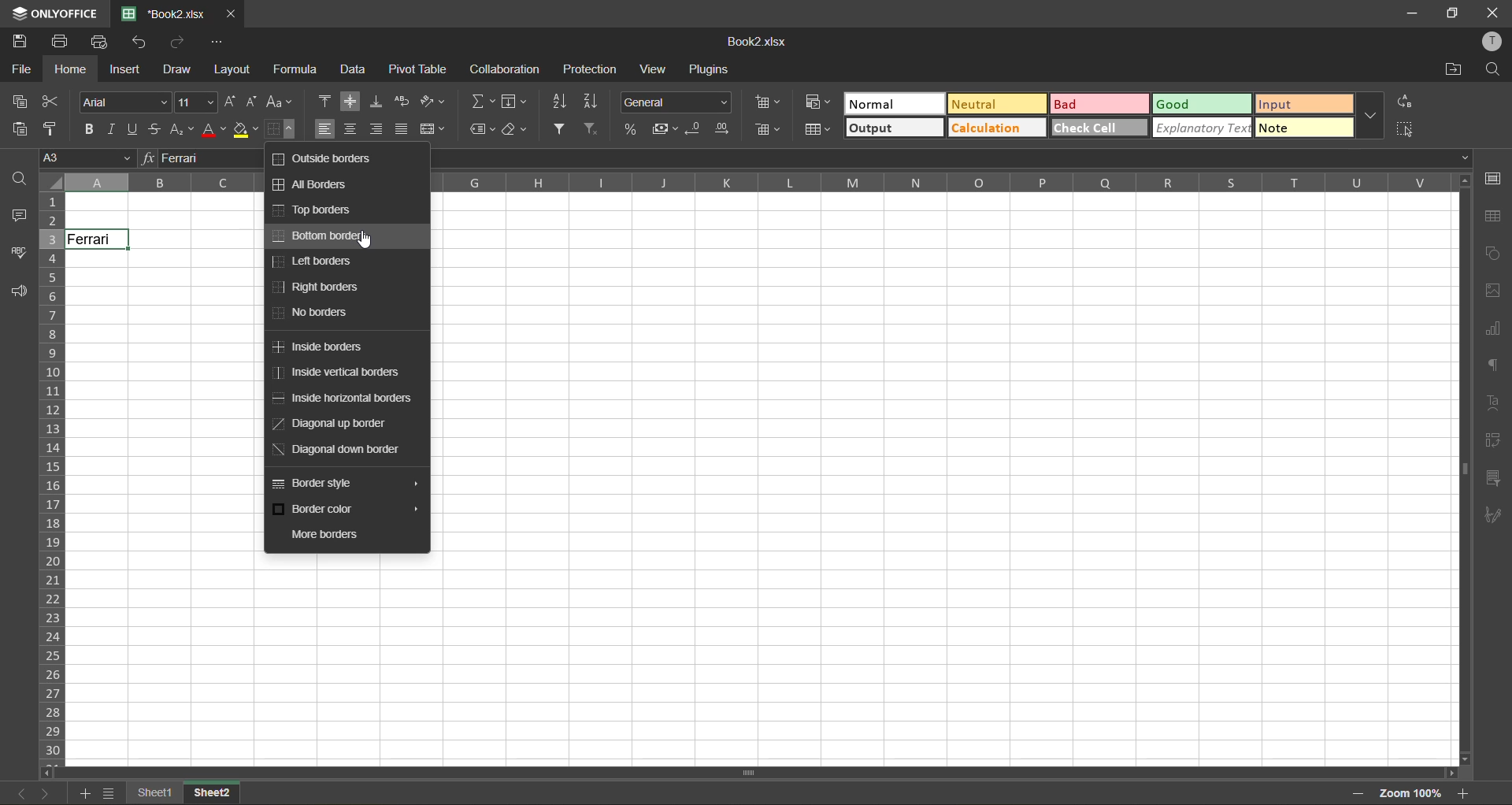 Image resolution: width=1512 pixels, height=805 pixels. What do you see at coordinates (195, 101) in the screenshot?
I see `font size` at bounding box center [195, 101].